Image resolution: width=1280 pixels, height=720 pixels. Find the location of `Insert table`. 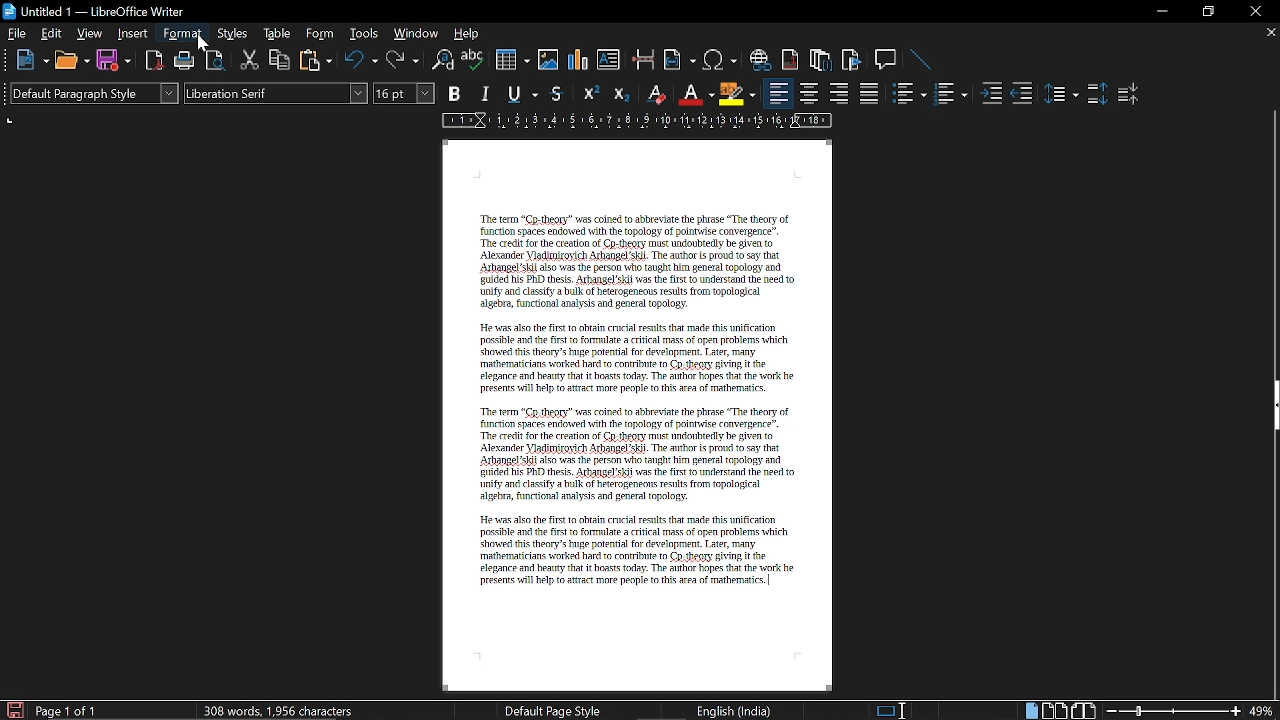

Insert table is located at coordinates (512, 61).